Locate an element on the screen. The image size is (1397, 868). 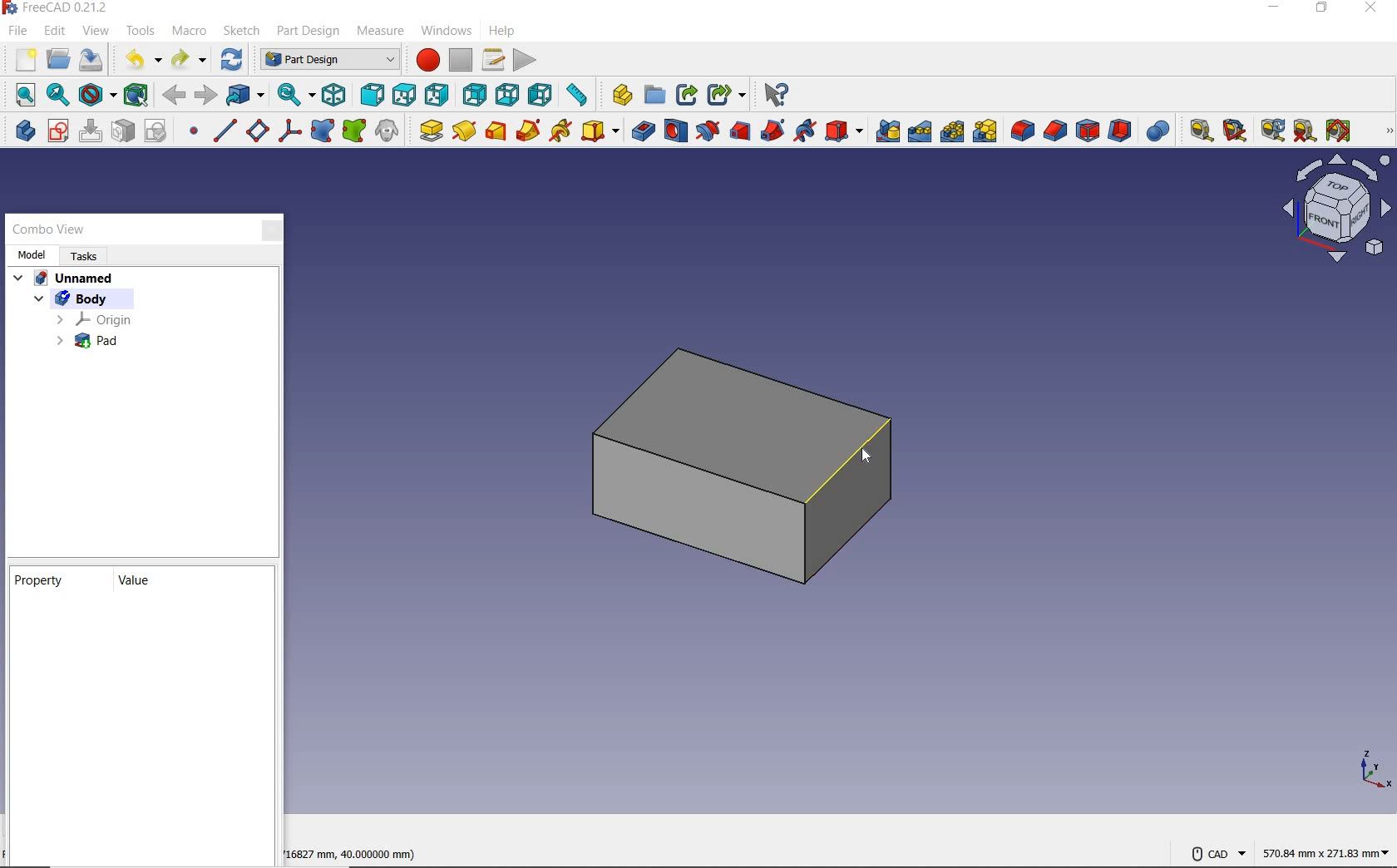
measure angular is located at coordinates (1232, 129).